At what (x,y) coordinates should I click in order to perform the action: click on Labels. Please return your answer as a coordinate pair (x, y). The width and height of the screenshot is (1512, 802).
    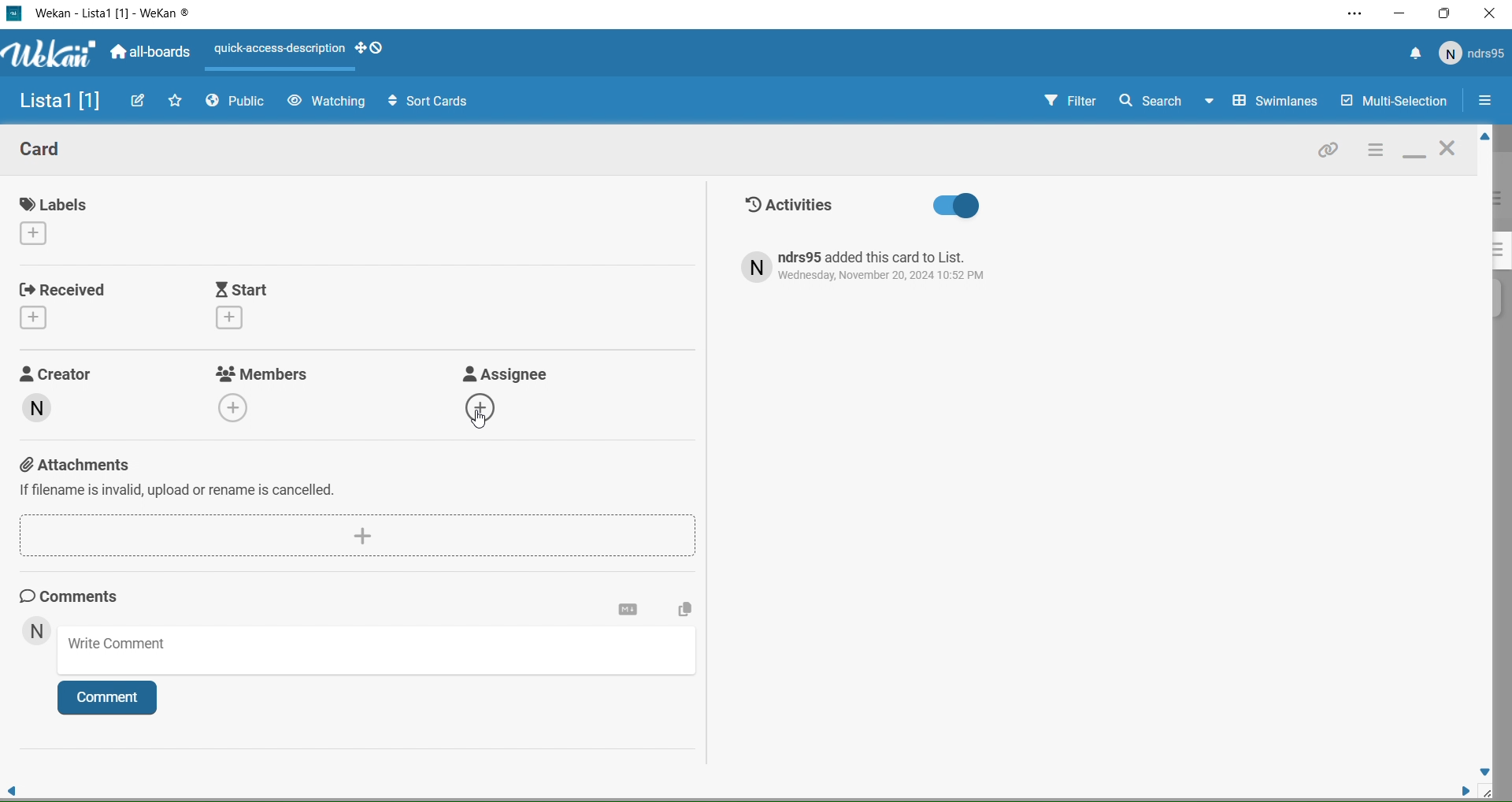
    Looking at the image, I should click on (60, 219).